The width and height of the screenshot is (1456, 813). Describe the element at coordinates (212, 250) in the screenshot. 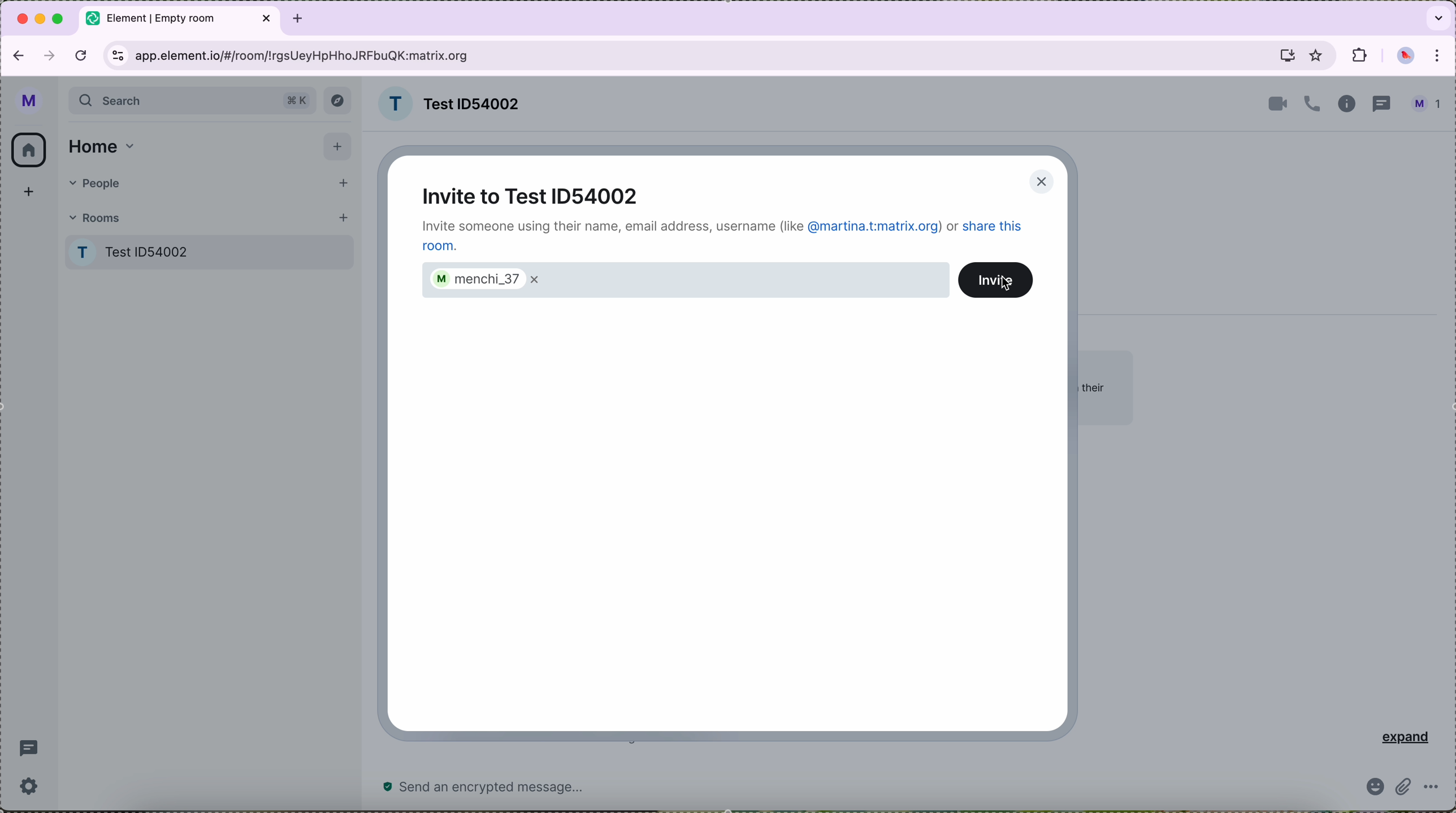

I see `Test room` at that location.